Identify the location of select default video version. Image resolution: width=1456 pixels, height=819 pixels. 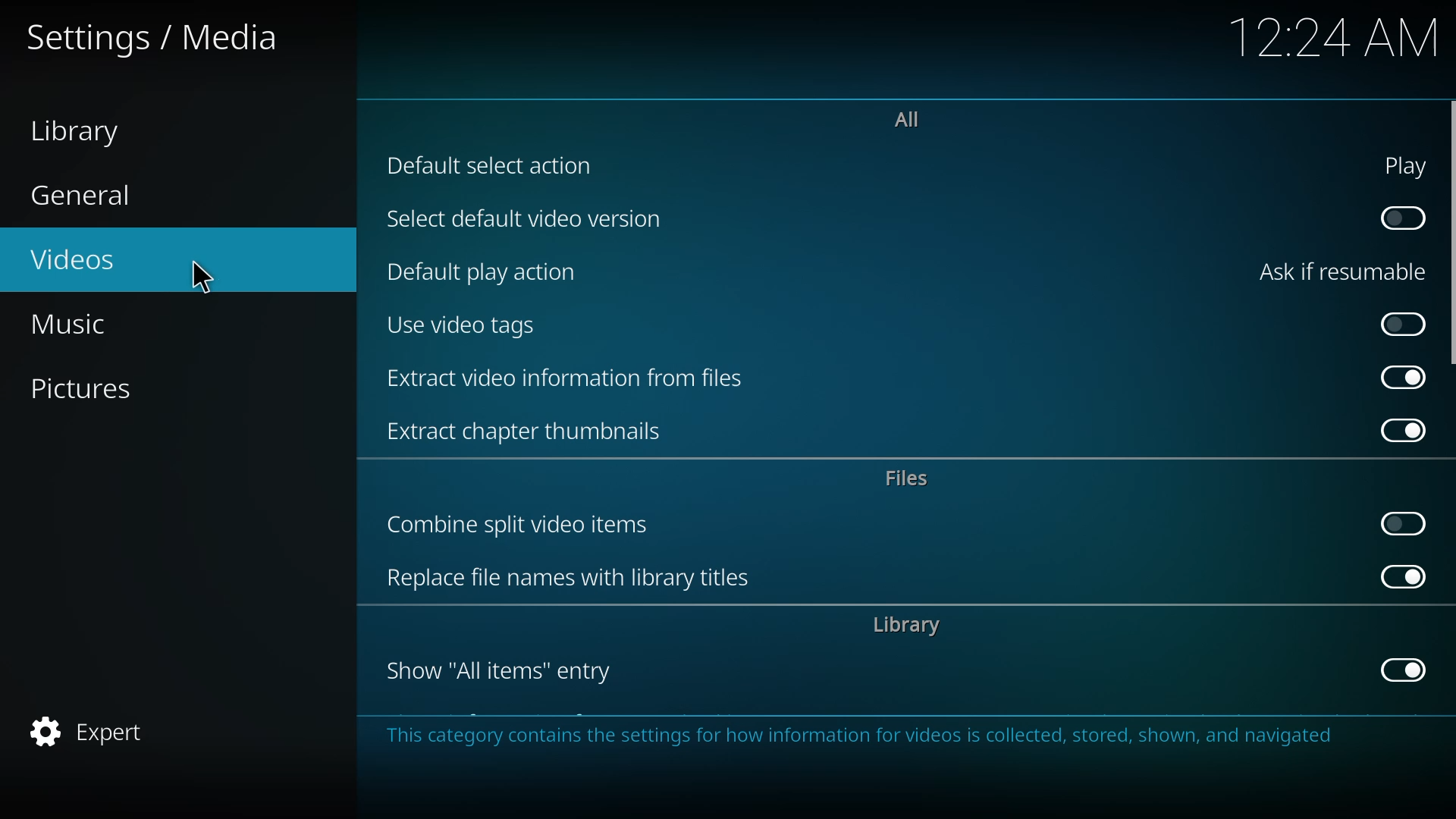
(524, 221).